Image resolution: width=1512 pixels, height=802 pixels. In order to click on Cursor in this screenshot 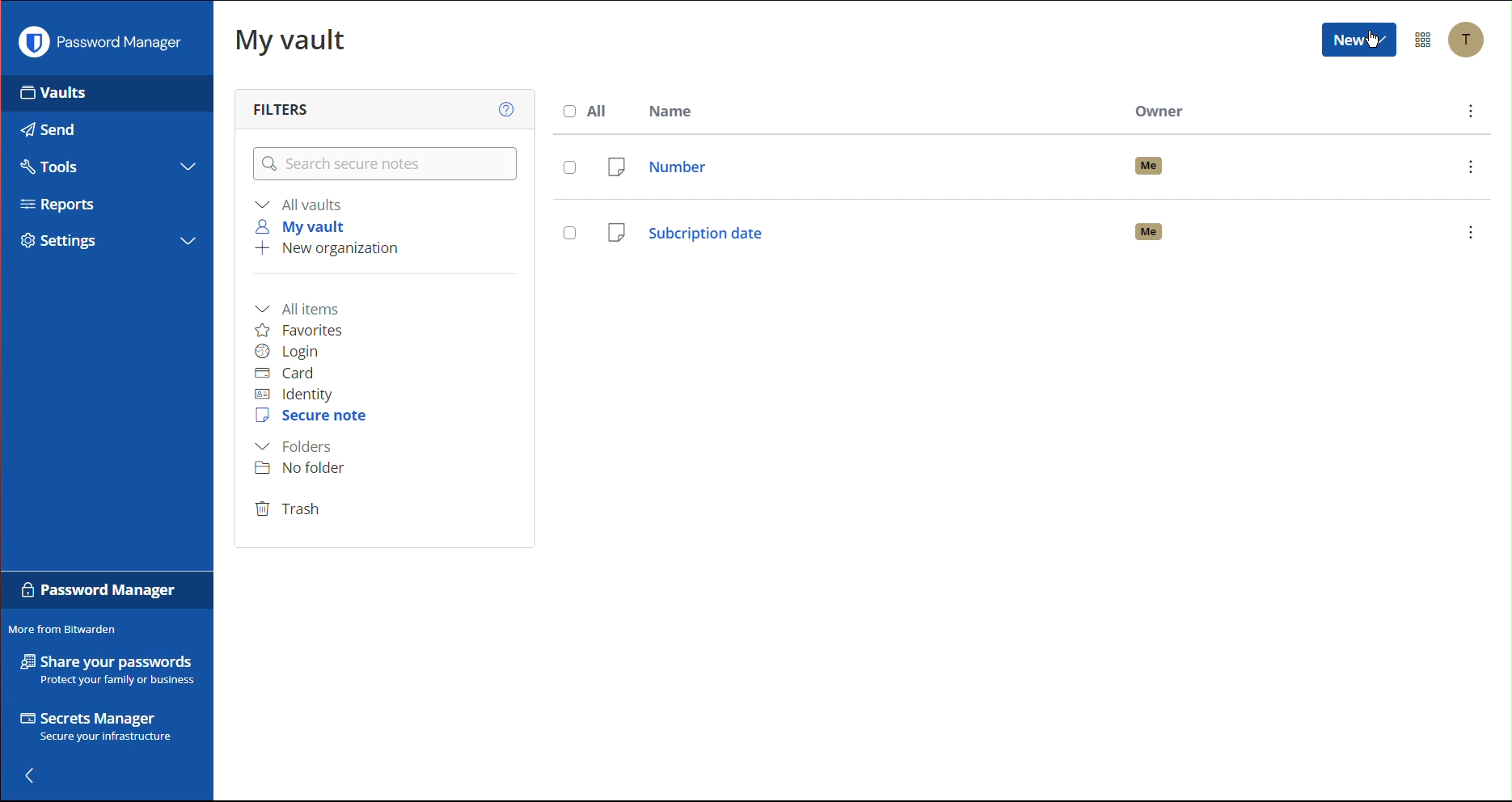, I will do `click(1371, 41)`.